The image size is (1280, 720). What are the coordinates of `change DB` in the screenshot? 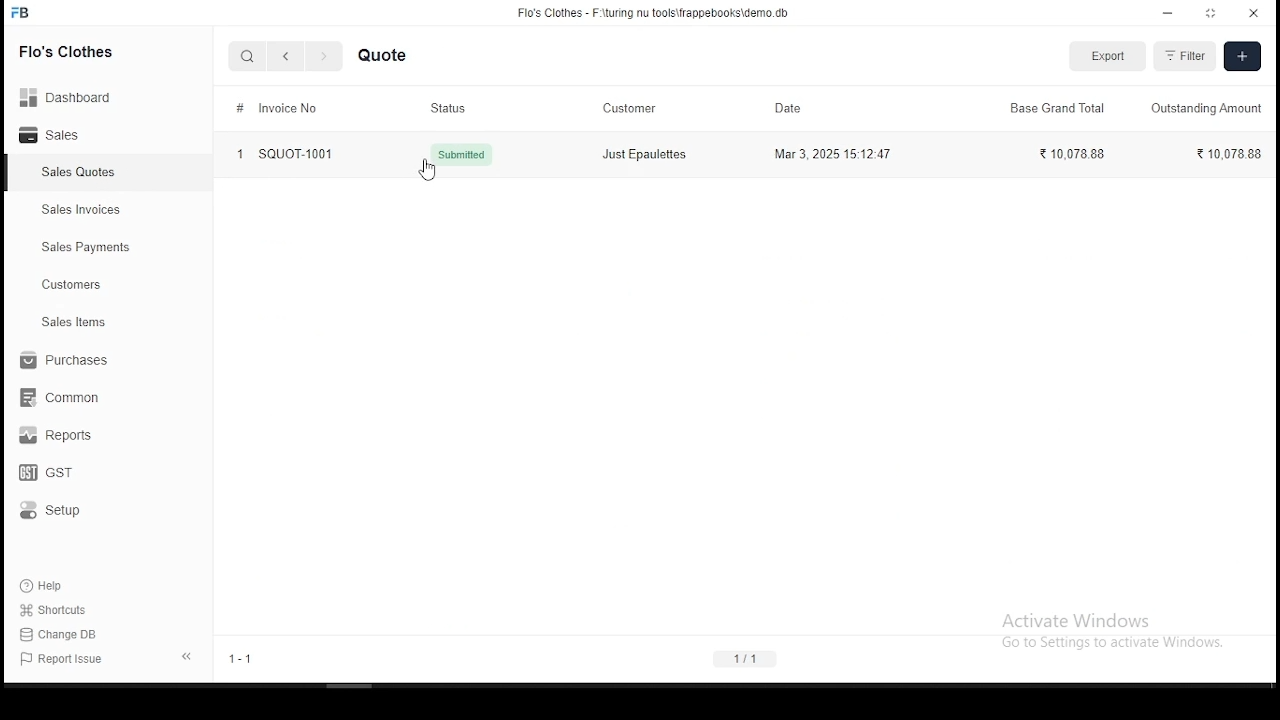 It's located at (74, 635).